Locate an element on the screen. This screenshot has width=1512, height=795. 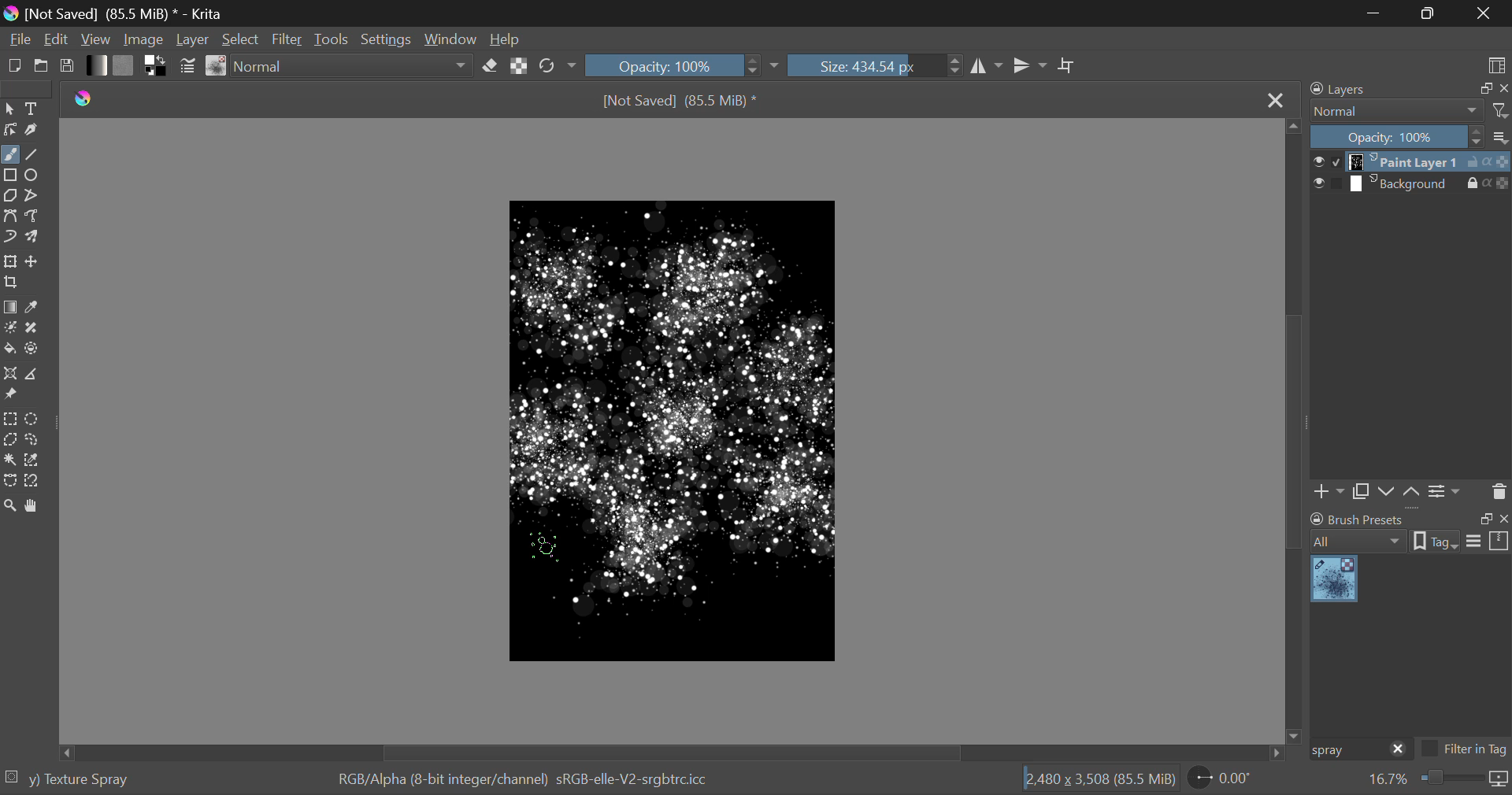
Scroll Bar is located at coordinates (676, 752).